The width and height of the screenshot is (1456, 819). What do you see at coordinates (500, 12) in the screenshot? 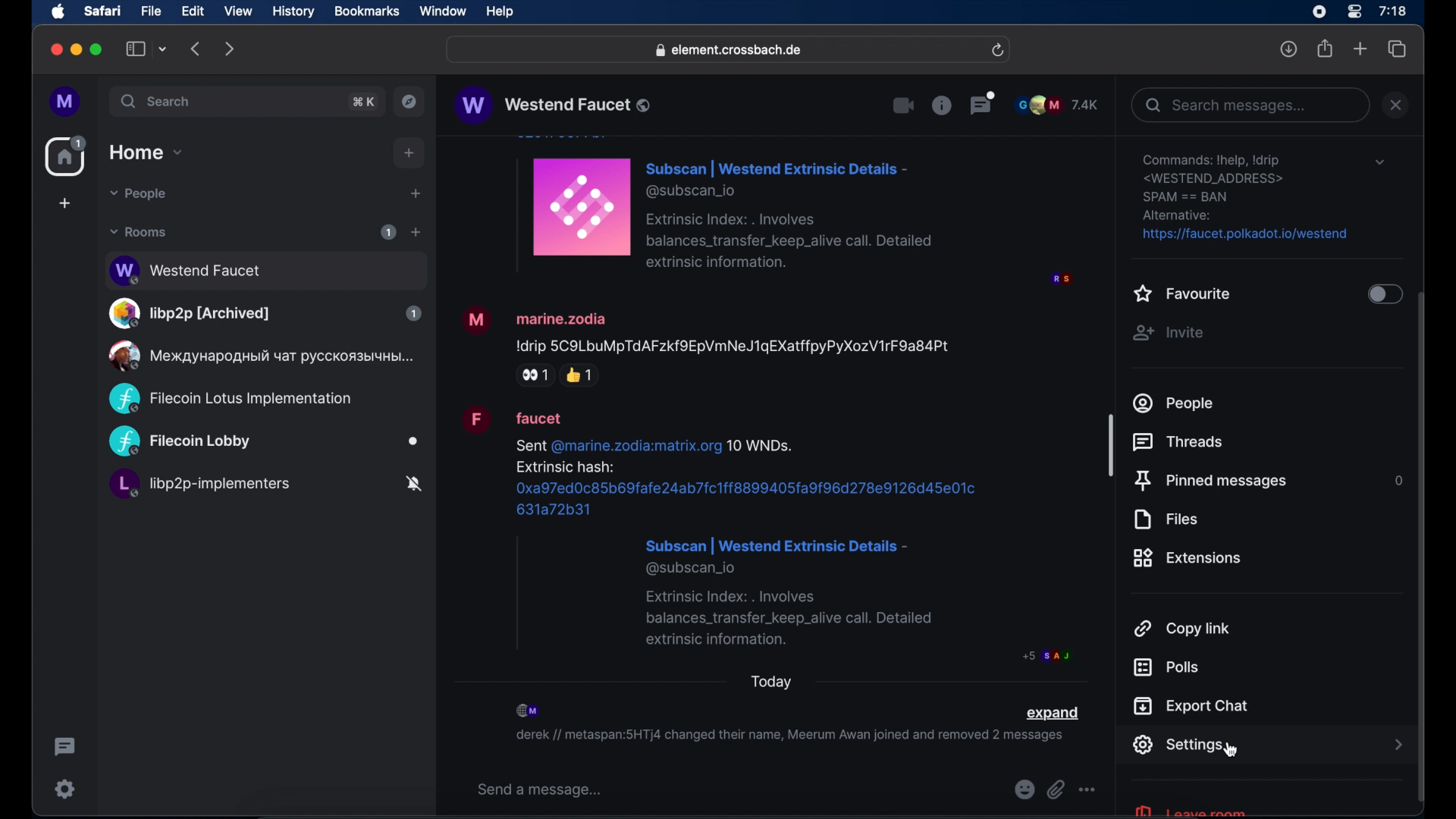
I see `help` at bounding box center [500, 12].